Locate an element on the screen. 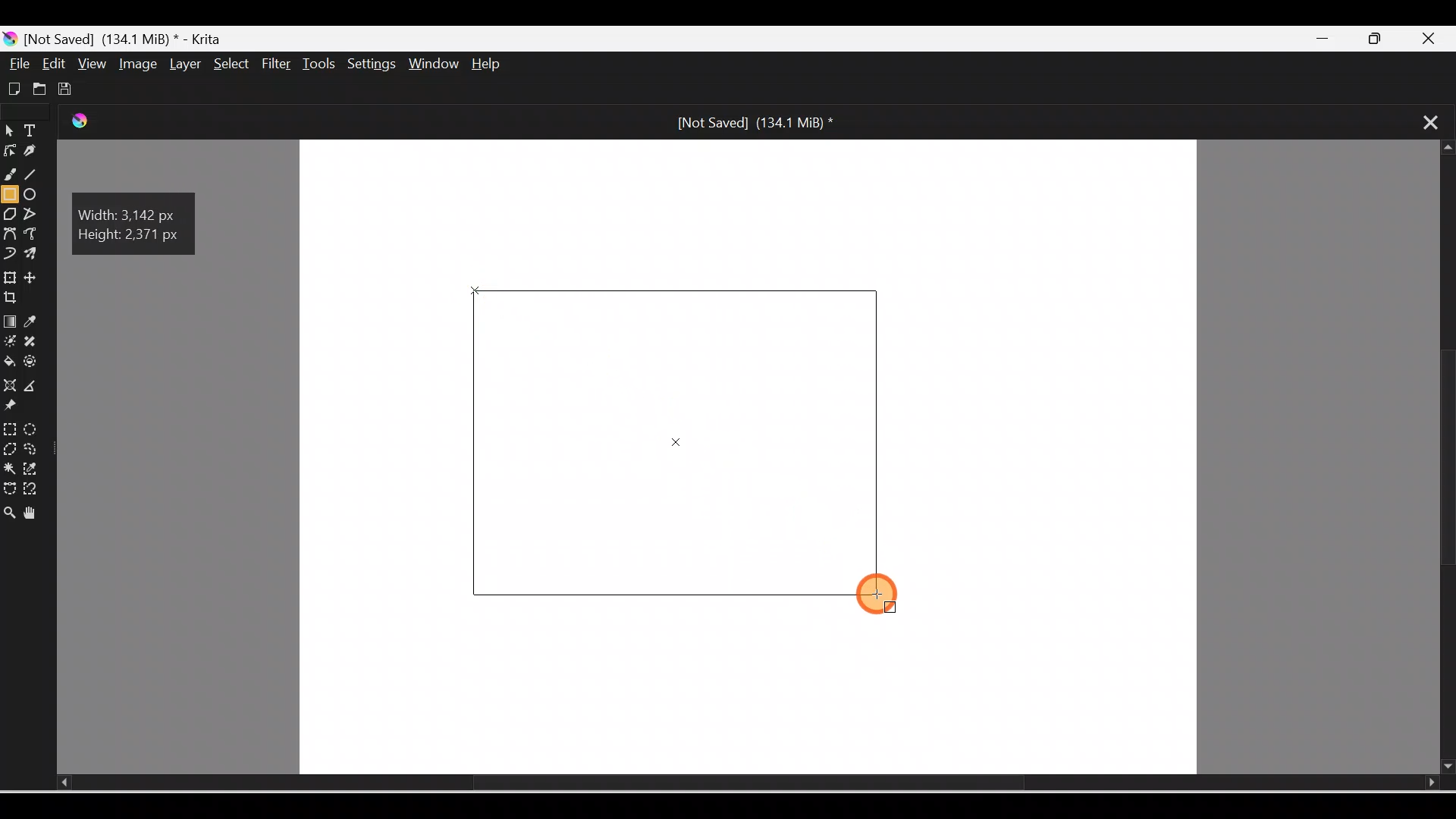 This screenshot has width=1456, height=819. Rectangle is located at coordinates (11, 194).